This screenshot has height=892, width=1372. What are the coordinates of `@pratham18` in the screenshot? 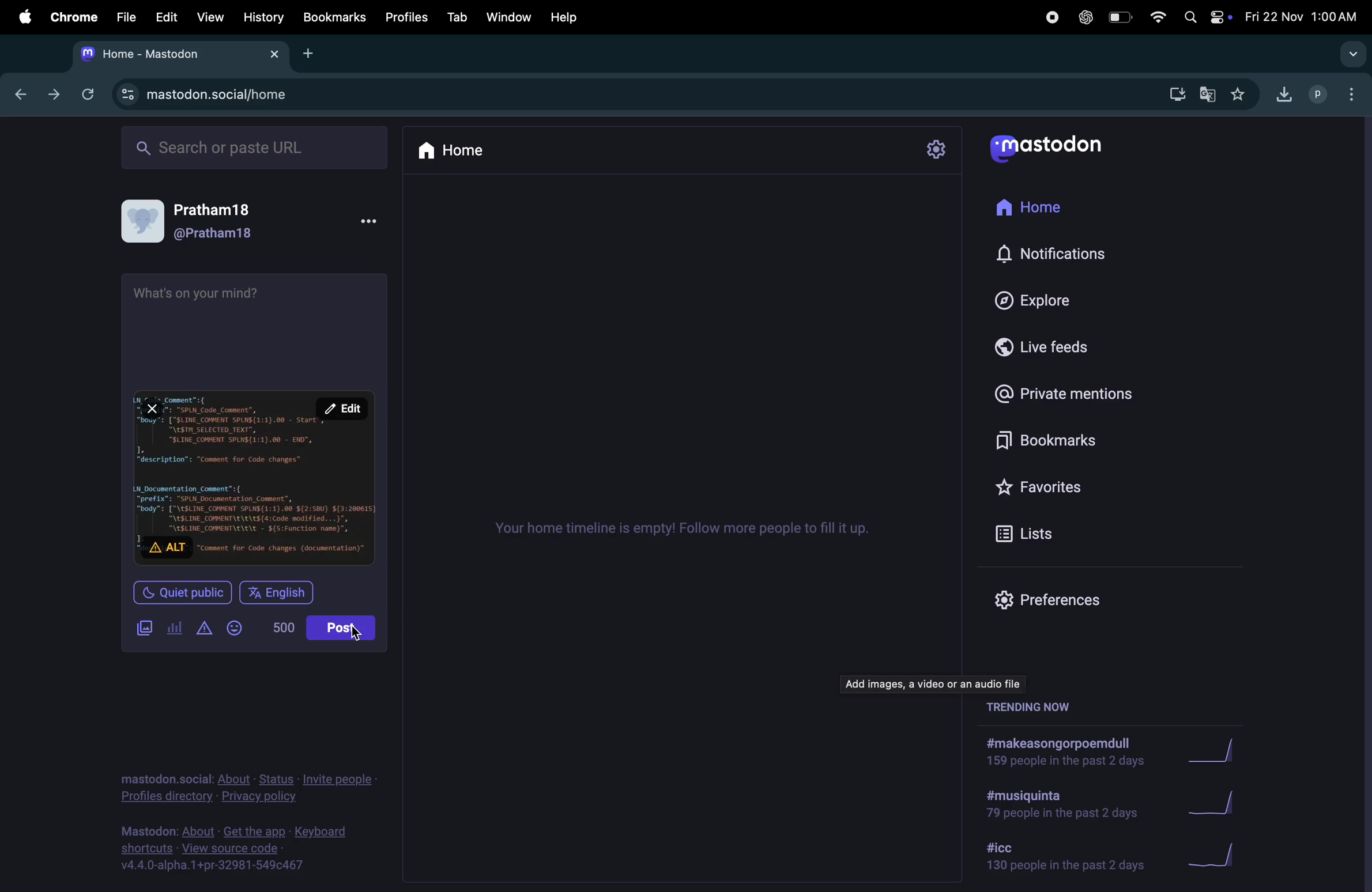 It's located at (213, 235).